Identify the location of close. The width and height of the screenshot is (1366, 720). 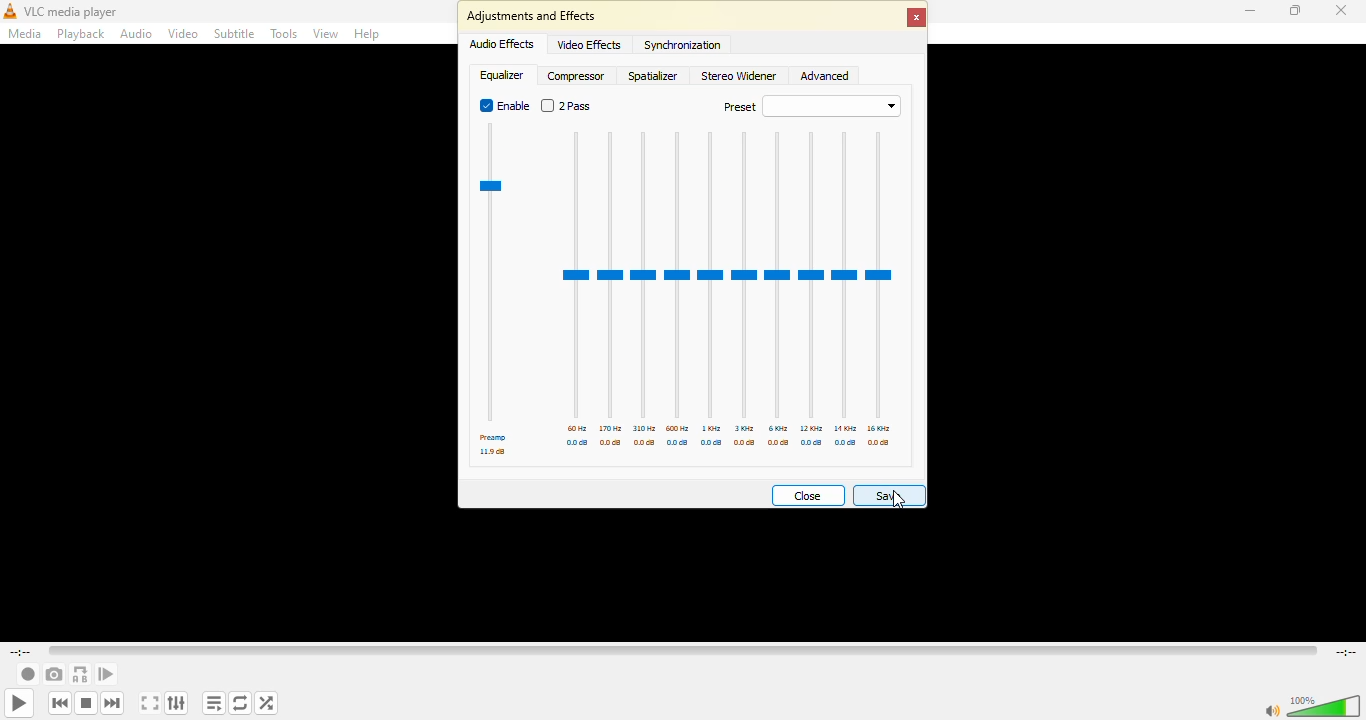
(809, 493).